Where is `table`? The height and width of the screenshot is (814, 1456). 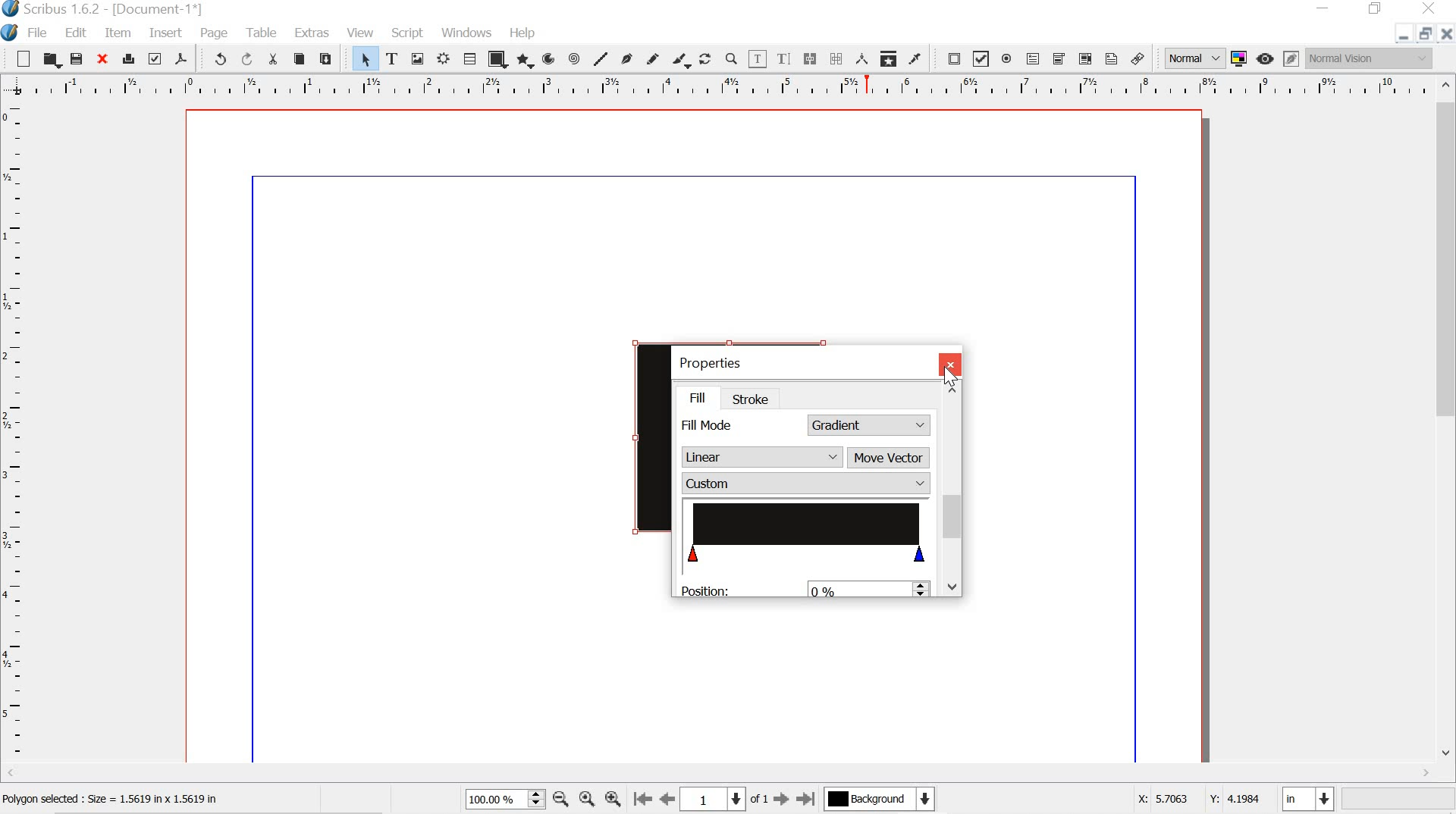 table is located at coordinates (469, 58).